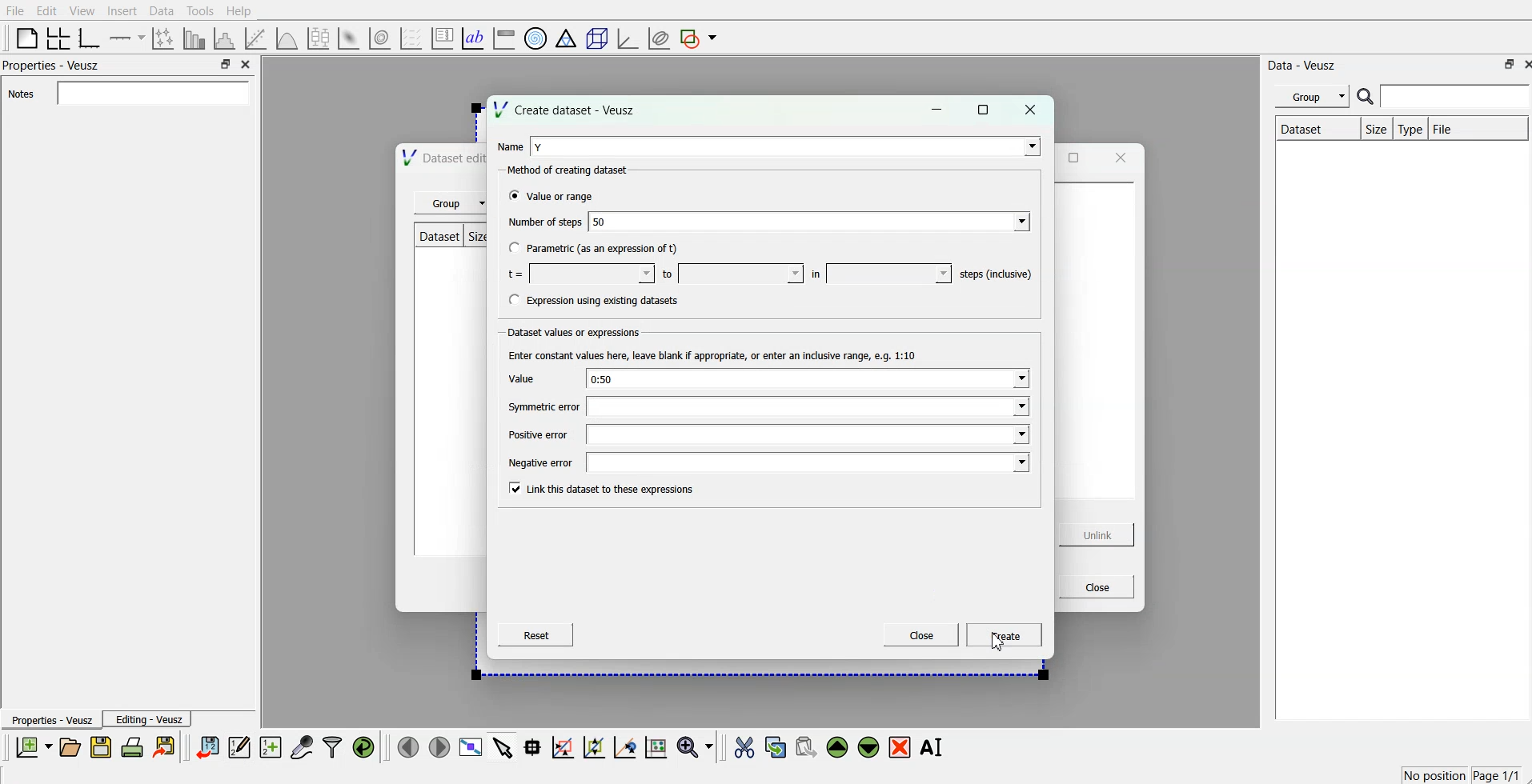 The height and width of the screenshot is (784, 1532). Describe the element at coordinates (150, 719) in the screenshot. I see `Editing - Veusz` at that location.